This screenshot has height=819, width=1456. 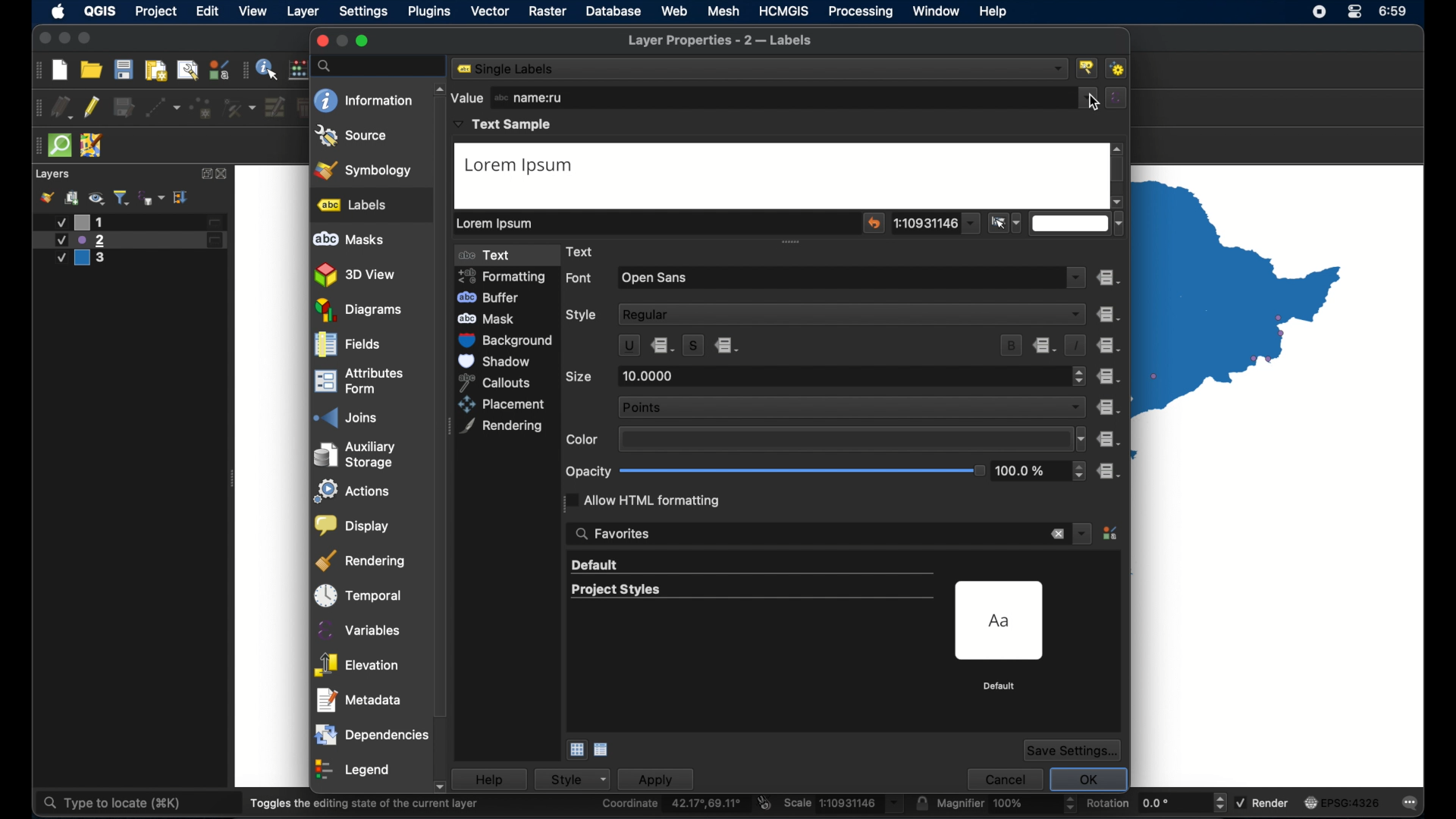 What do you see at coordinates (36, 108) in the screenshot?
I see `drag handle` at bounding box center [36, 108].